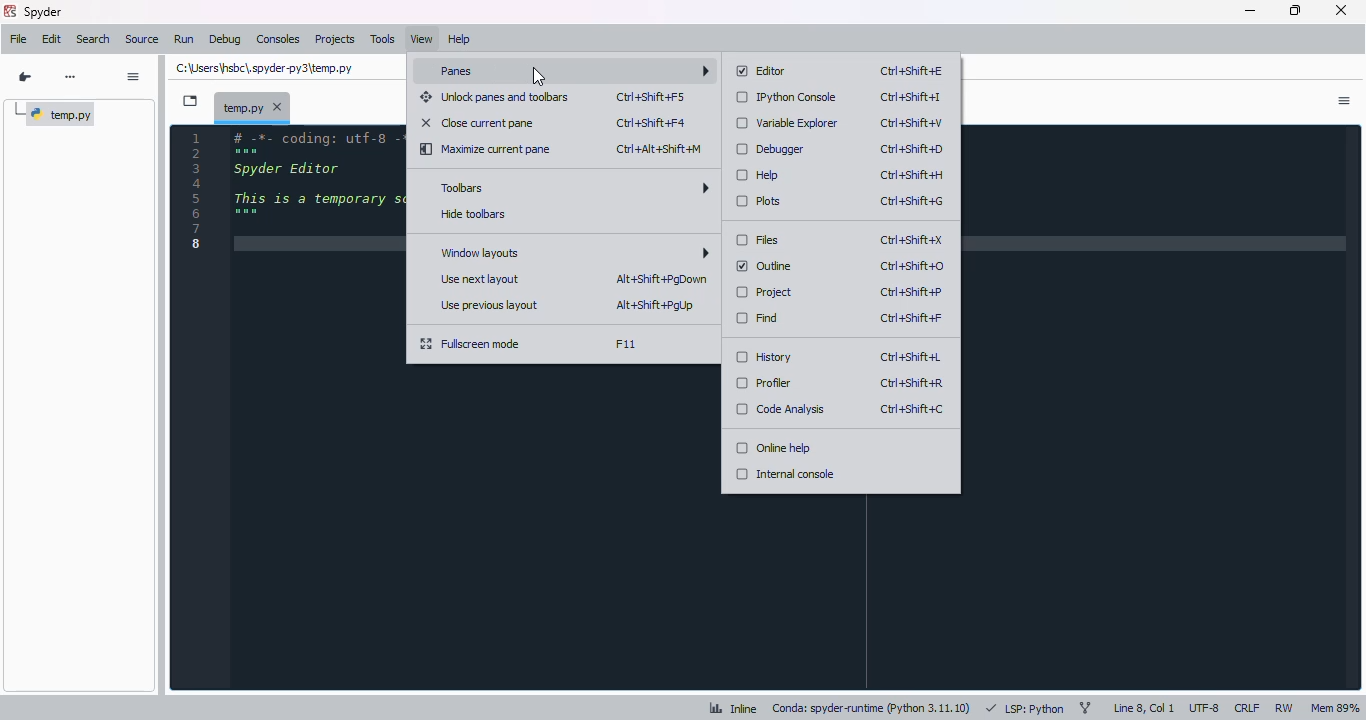 The width and height of the screenshot is (1366, 720). What do you see at coordinates (190, 101) in the screenshot?
I see `browse tabs` at bounding box center [190, 101].